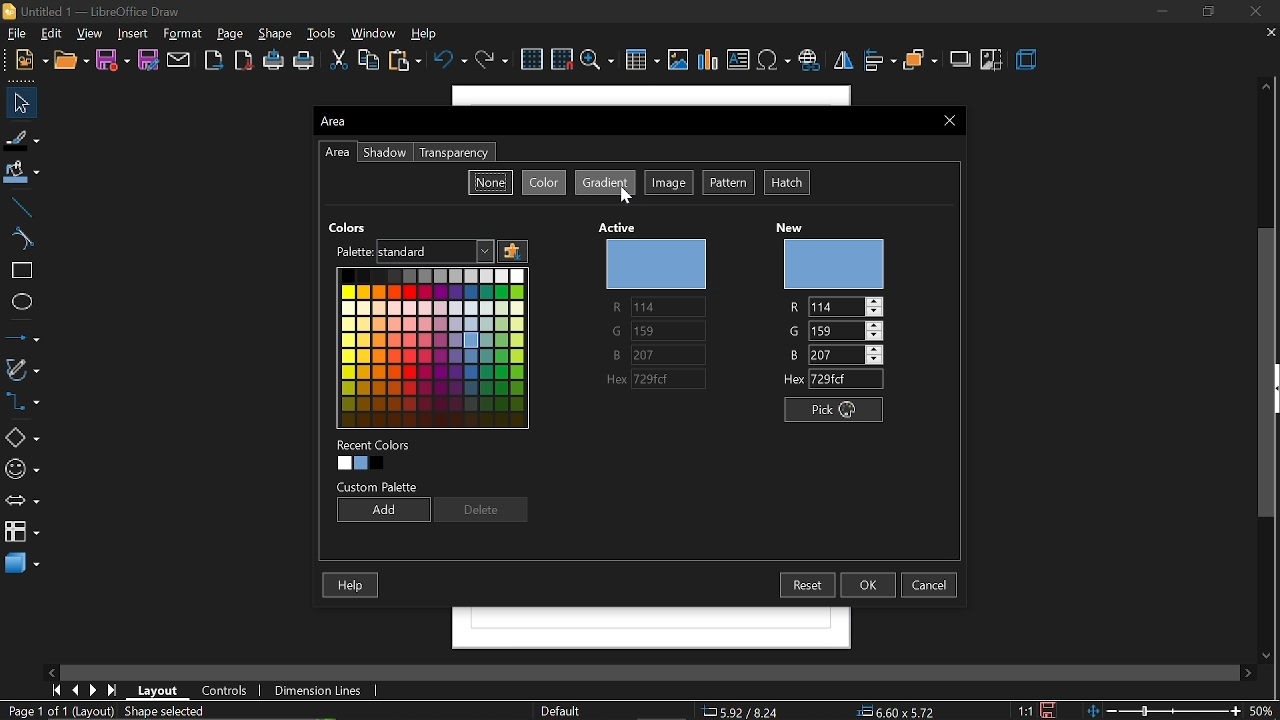 This screenshot has height=720, width=1280. What do you see at coordinates (562, 61) in the screenshot?
I see `snap to grid` at bounding box center [562, 61].